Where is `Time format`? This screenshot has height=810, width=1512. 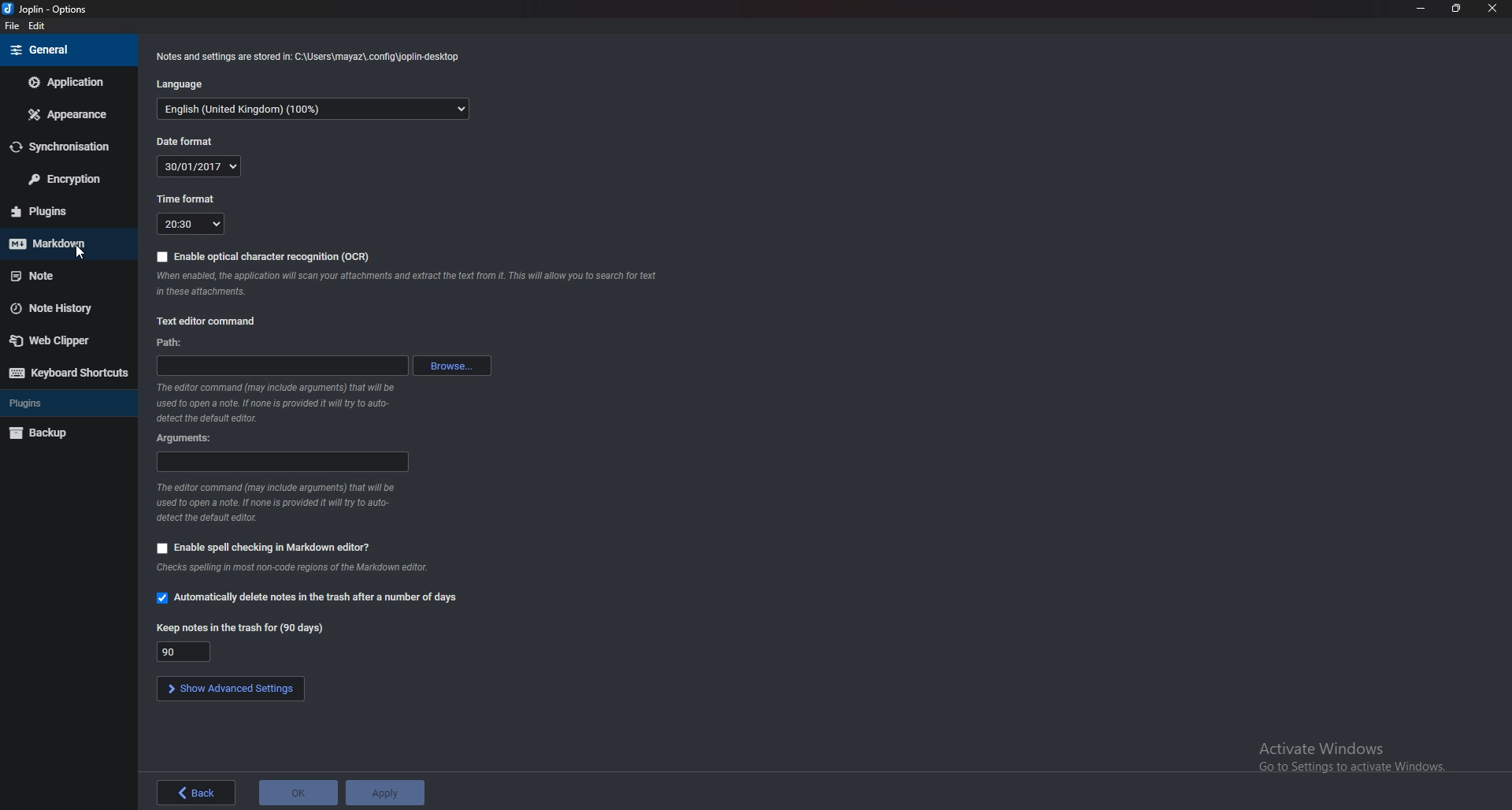 Time format is located at coordinates (187, 198).